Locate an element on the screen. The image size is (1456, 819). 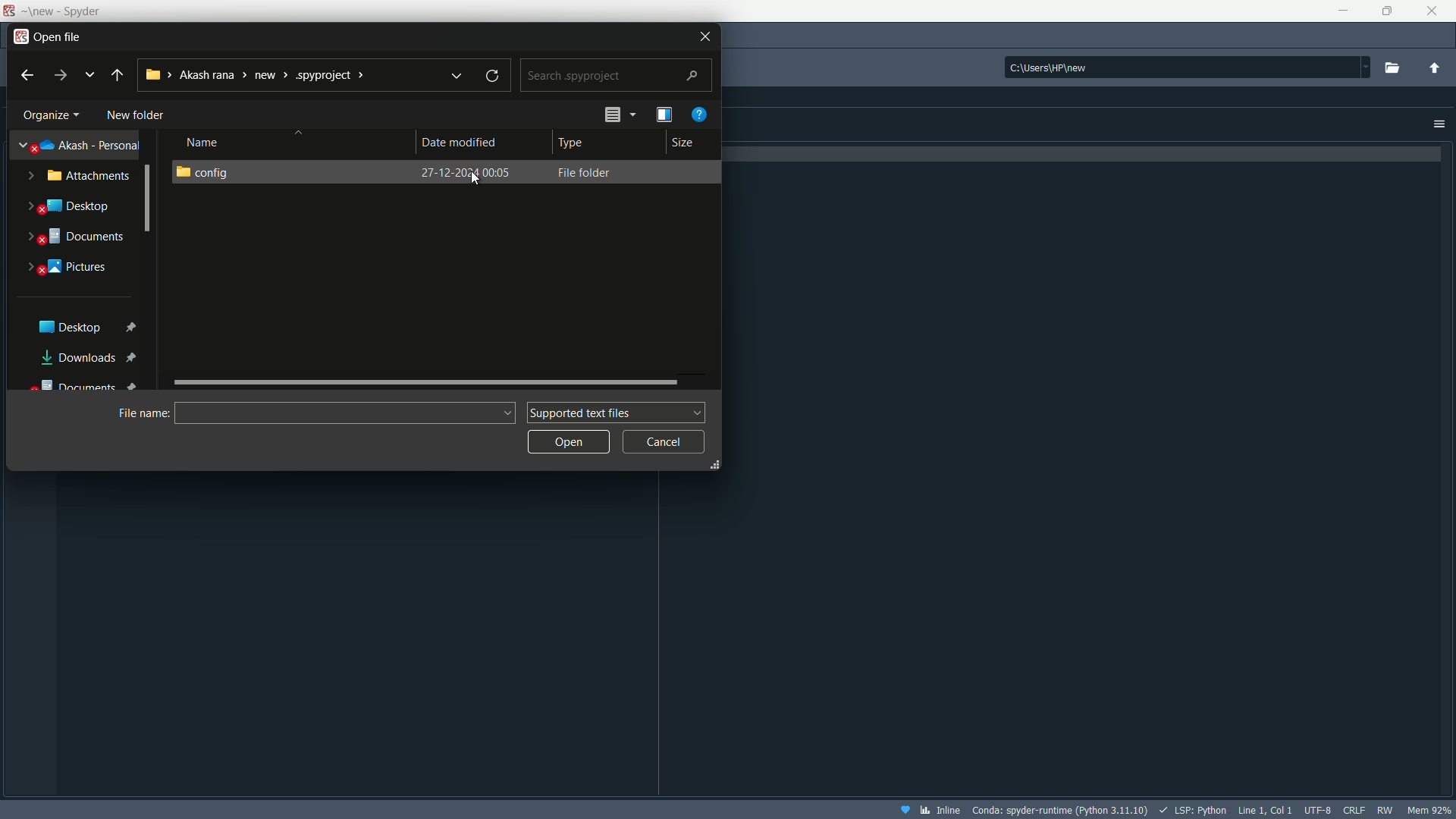
Logo is located at coordinates (9, 10).